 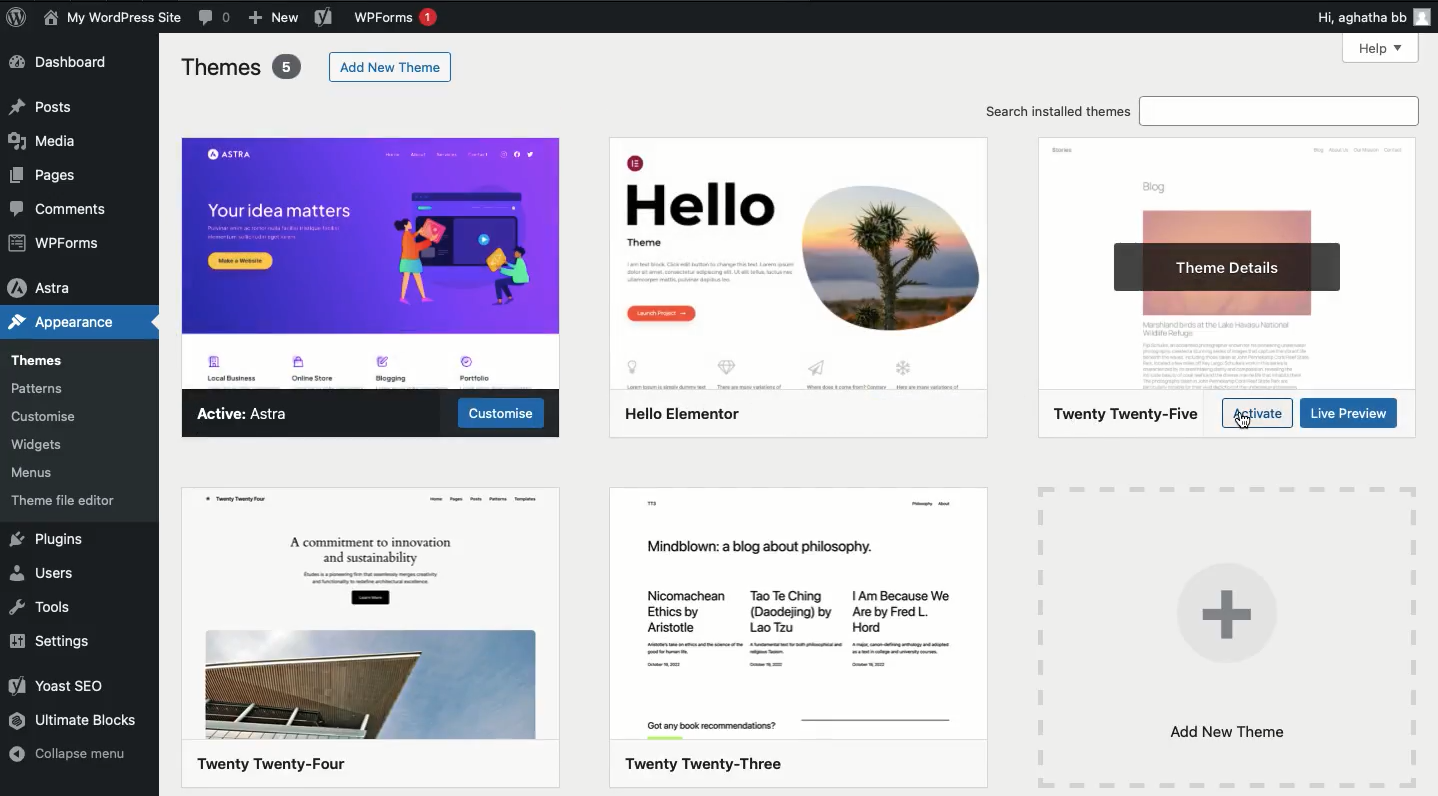 I want to click on Settings, so click(x=52, y=640).